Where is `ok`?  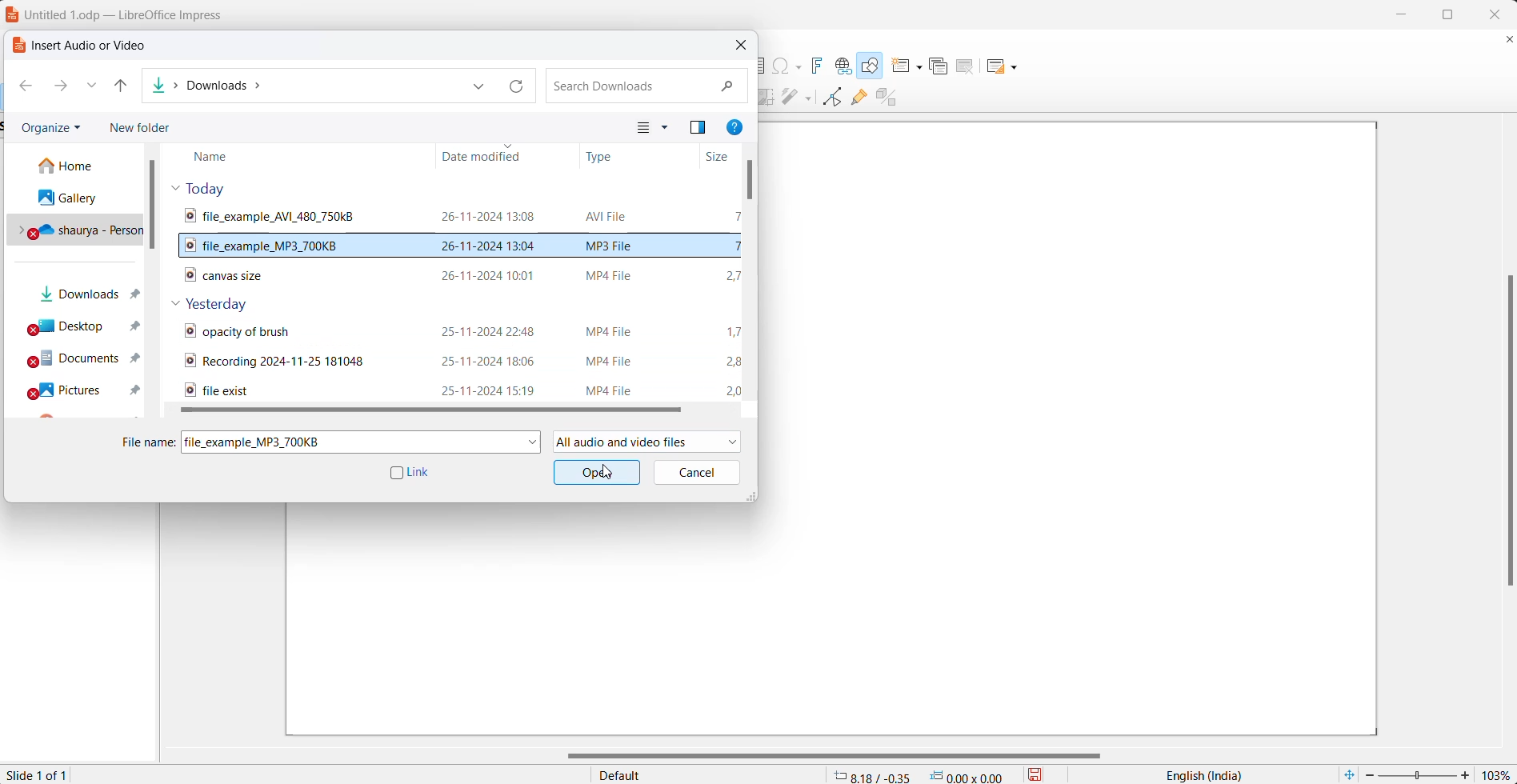
ok is located at coordinates (598, 472).